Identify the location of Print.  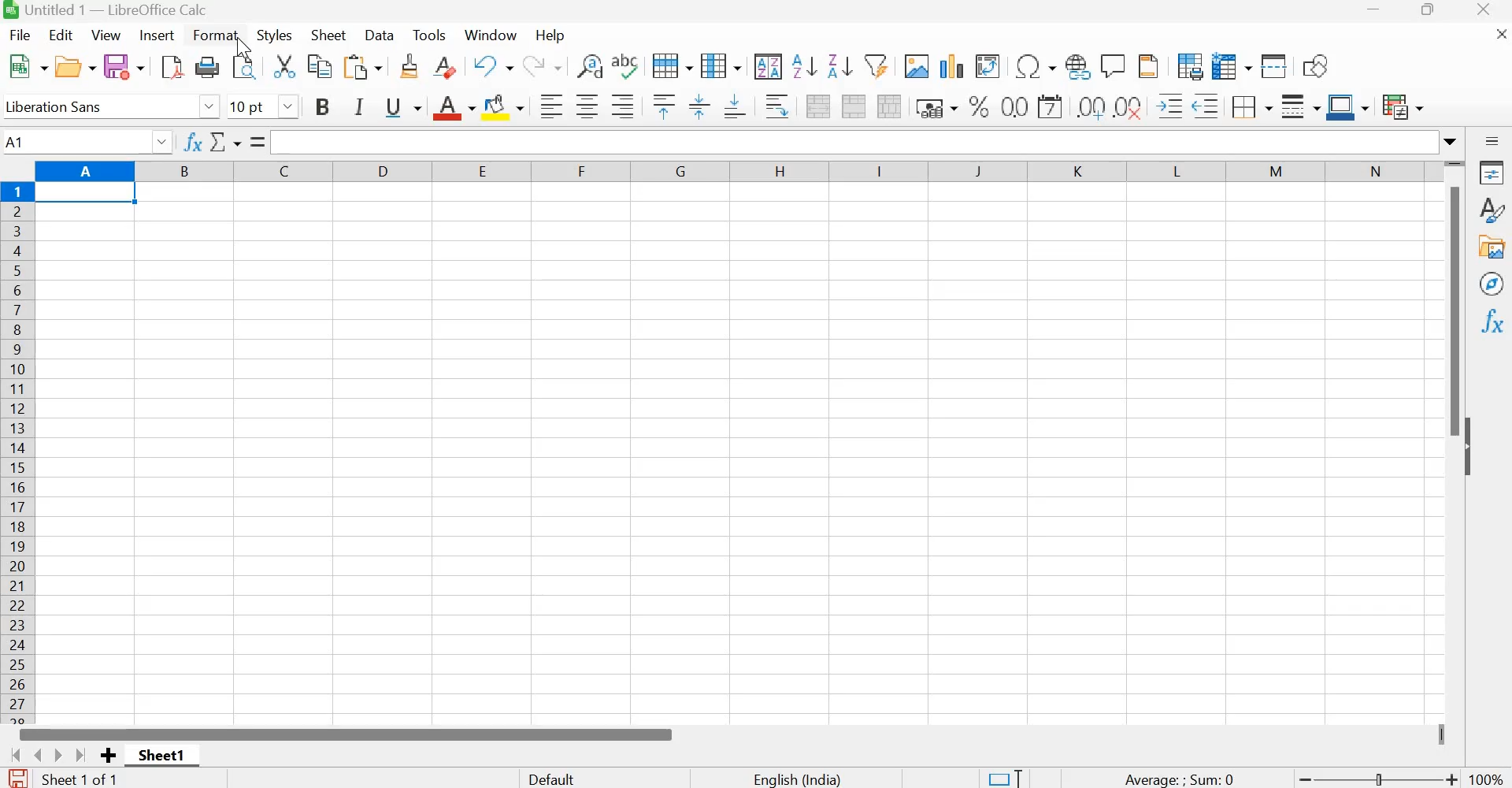
(212, 69).